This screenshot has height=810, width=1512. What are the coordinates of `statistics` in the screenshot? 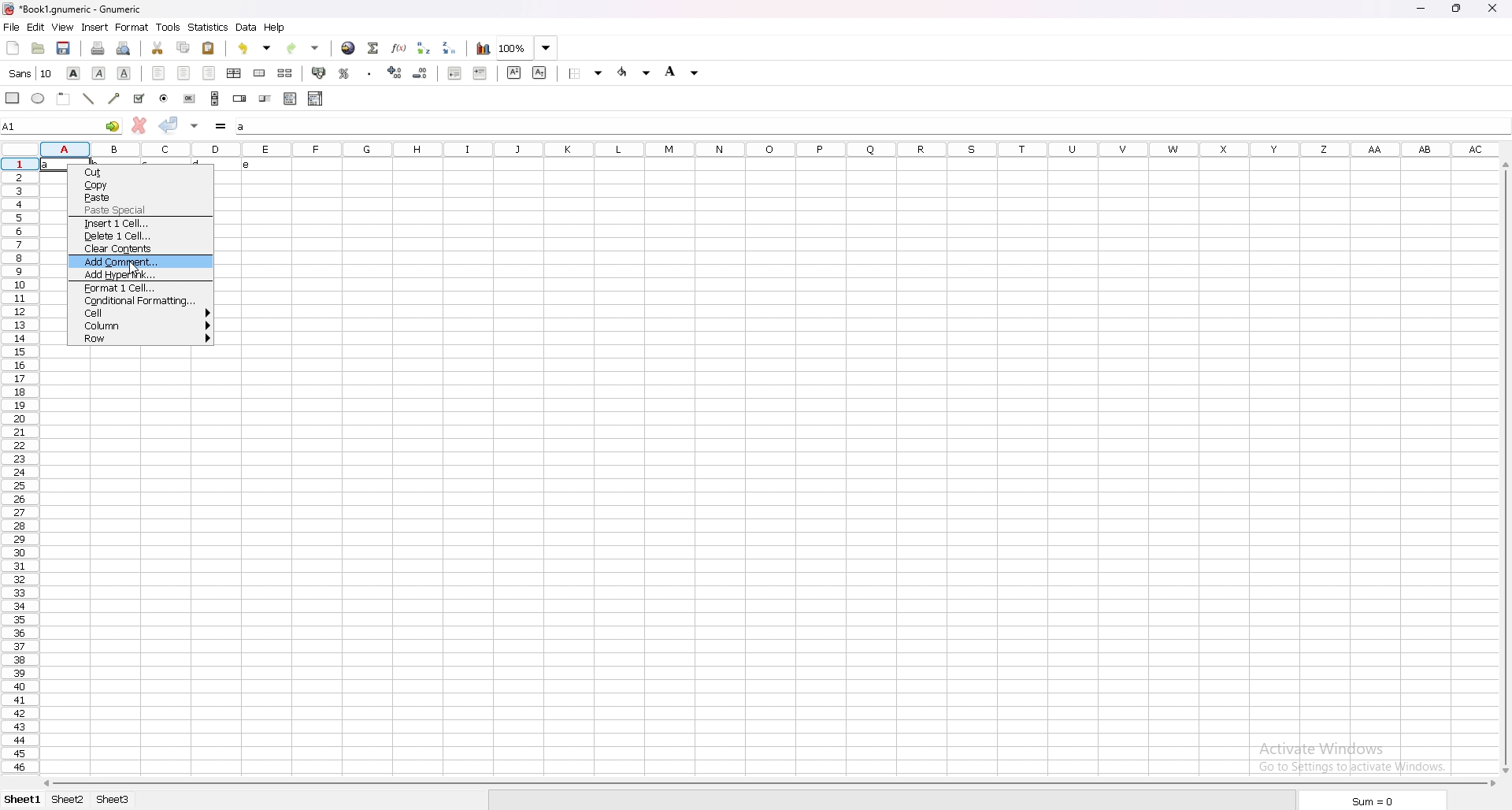 It's located at (209, 28).